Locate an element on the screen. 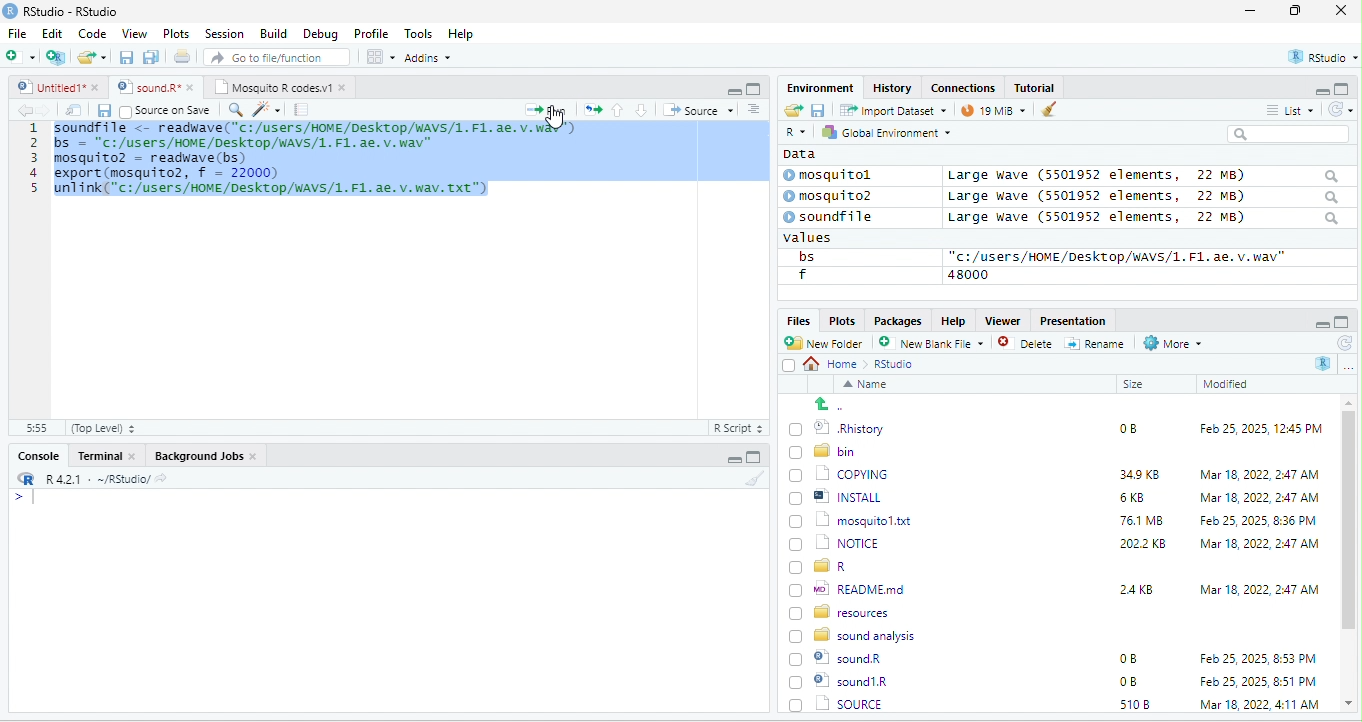 The height and width of the screenshot is (722, 1362). Presentation is located at coordinates (1071, 320).